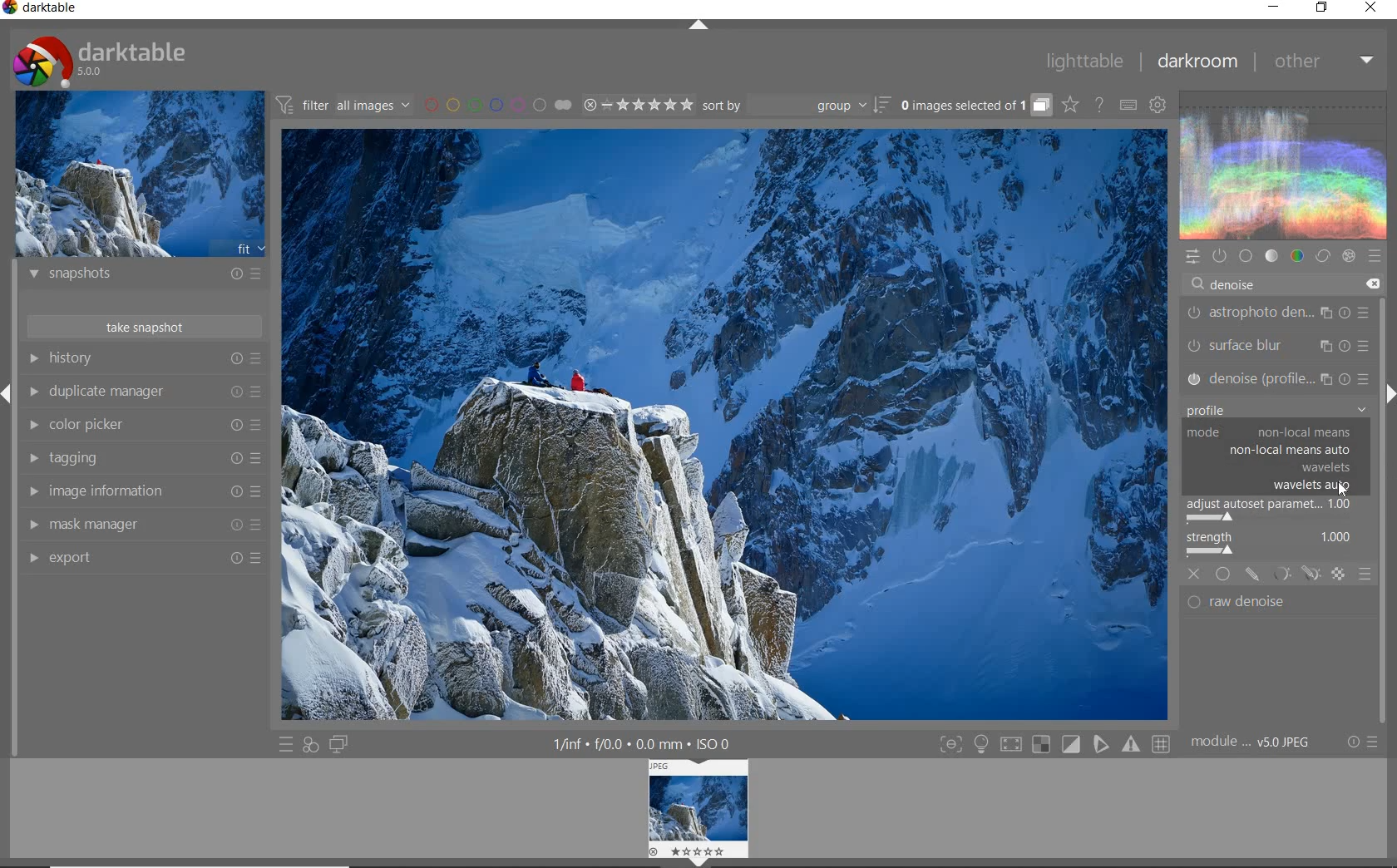 The image size is (1397, 868). Describe the element at coordinates (142, 525) in the screenshot. I see `mask manager` at that location.